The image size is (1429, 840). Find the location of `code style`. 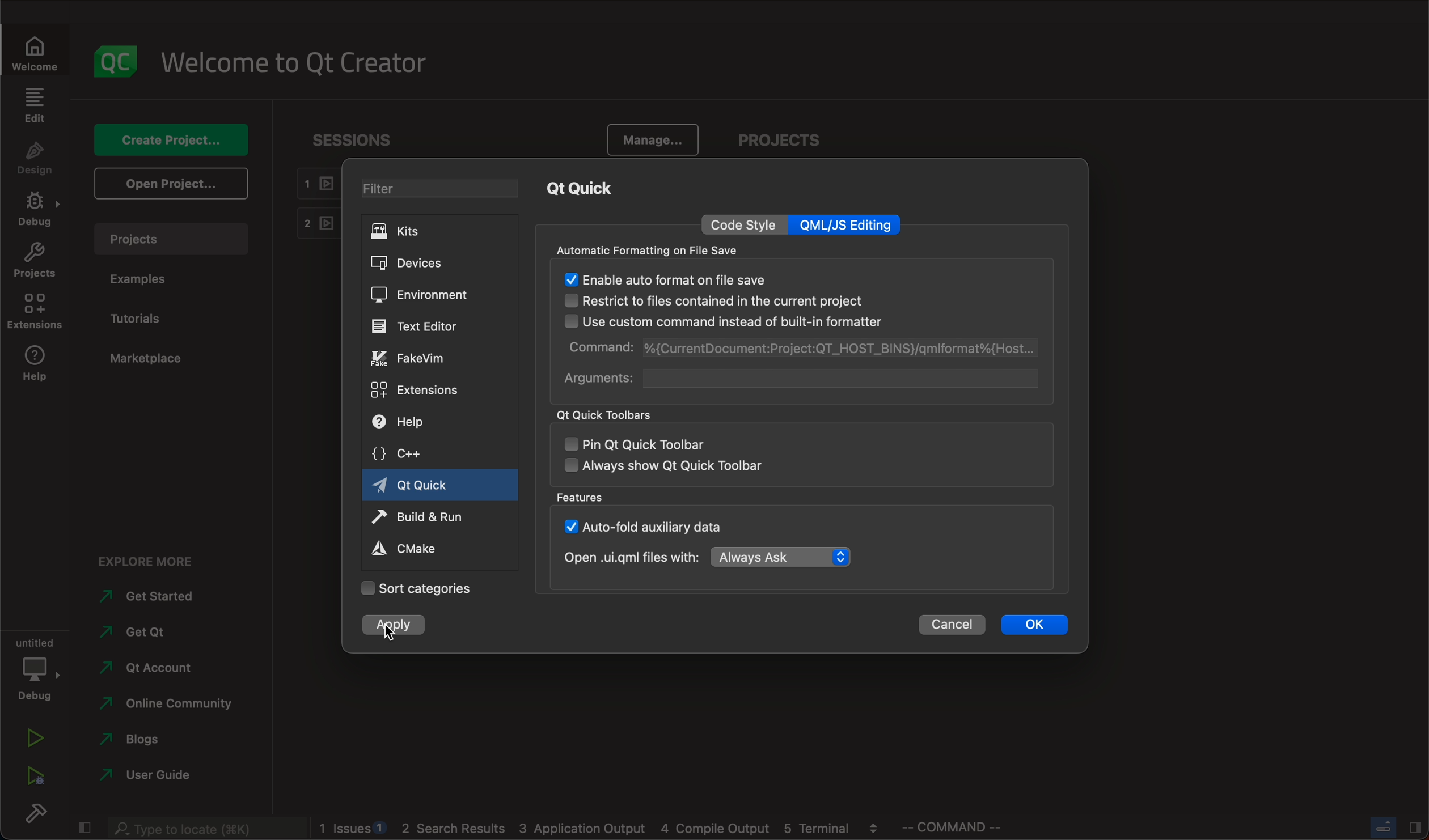

code style is located at coordinates (745, 226).